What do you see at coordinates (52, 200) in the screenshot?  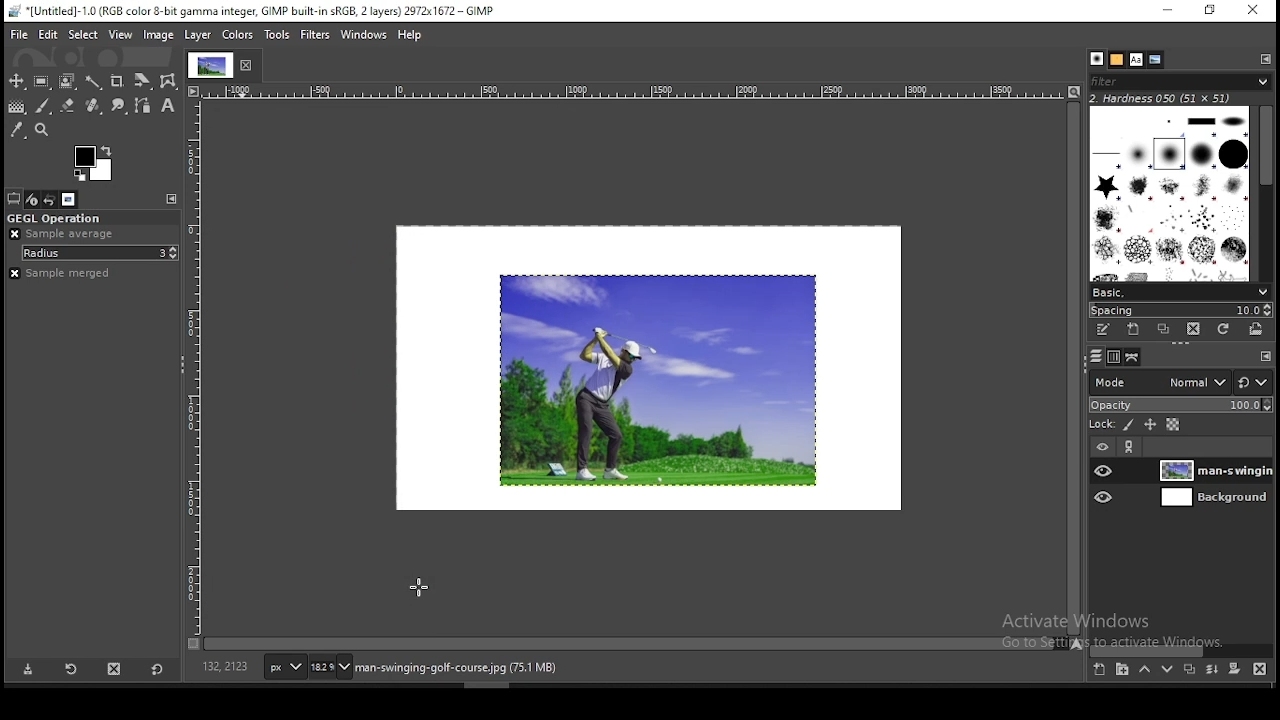 I see `undo history` at bounding box center [52, 200].